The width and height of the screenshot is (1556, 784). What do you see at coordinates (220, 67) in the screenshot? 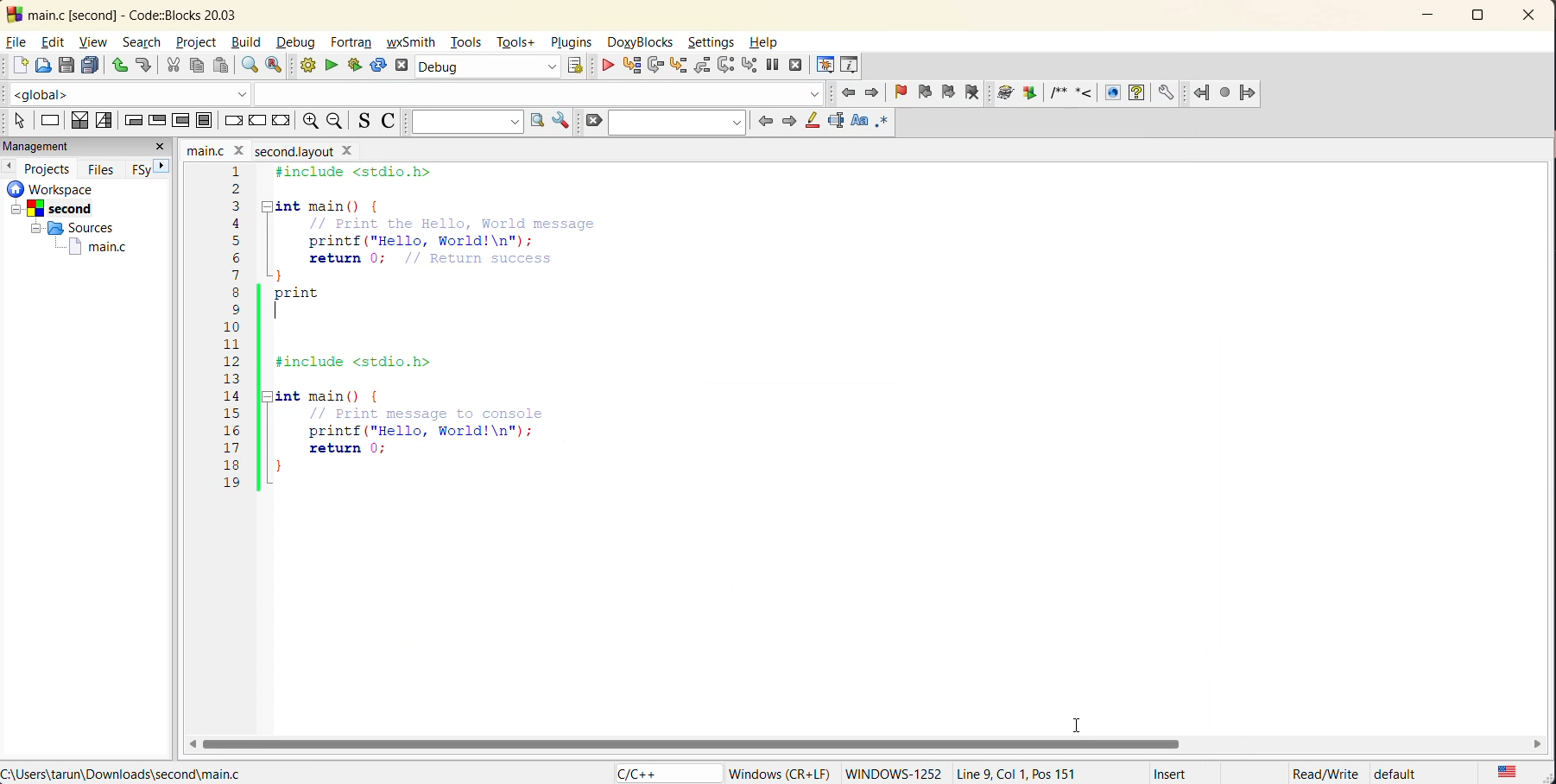
I see `paste` at bounding box center [220, 67].